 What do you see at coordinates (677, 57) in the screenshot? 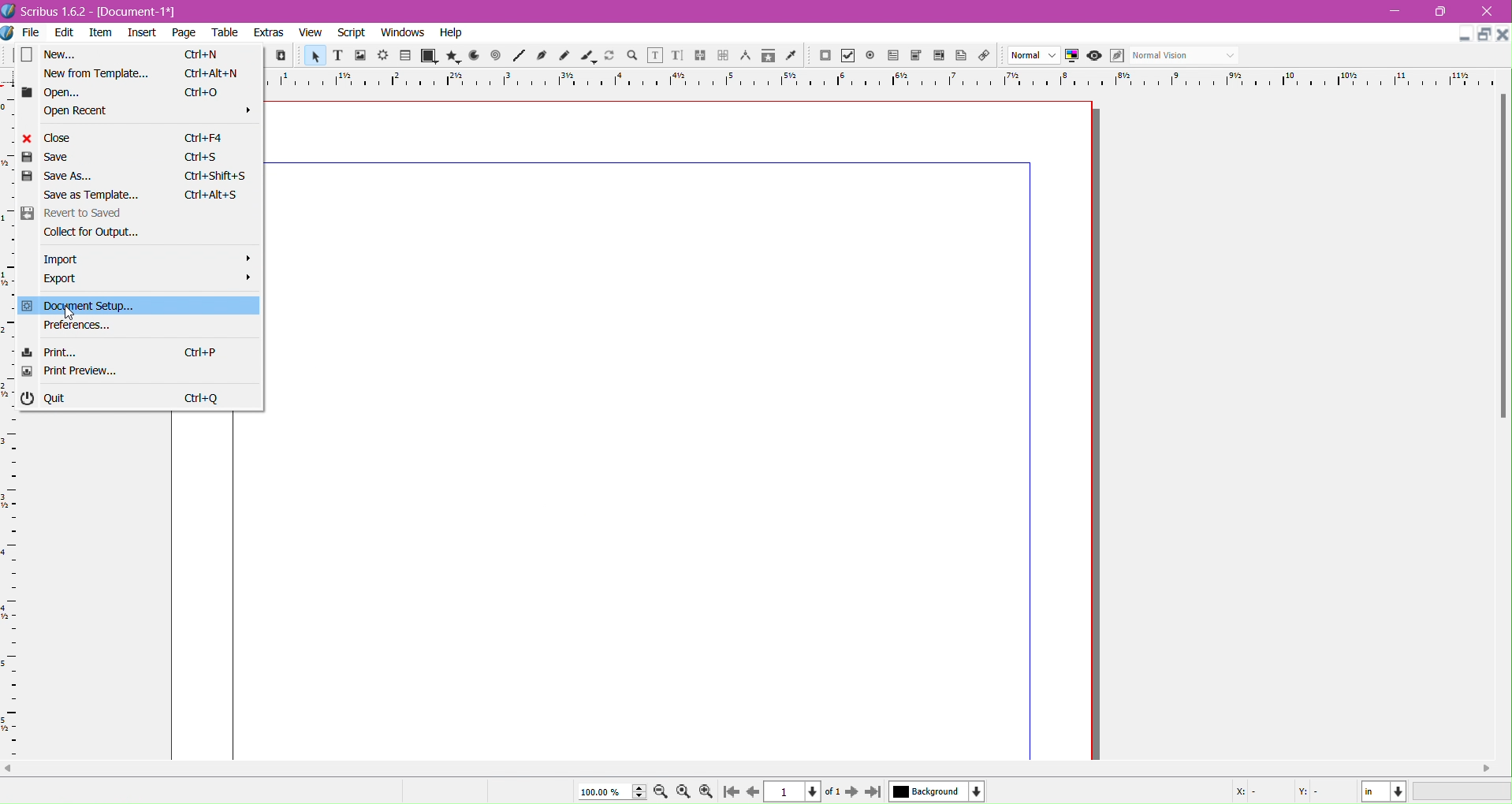
I see `edit text with story editor` at bounding box center [677, 57].